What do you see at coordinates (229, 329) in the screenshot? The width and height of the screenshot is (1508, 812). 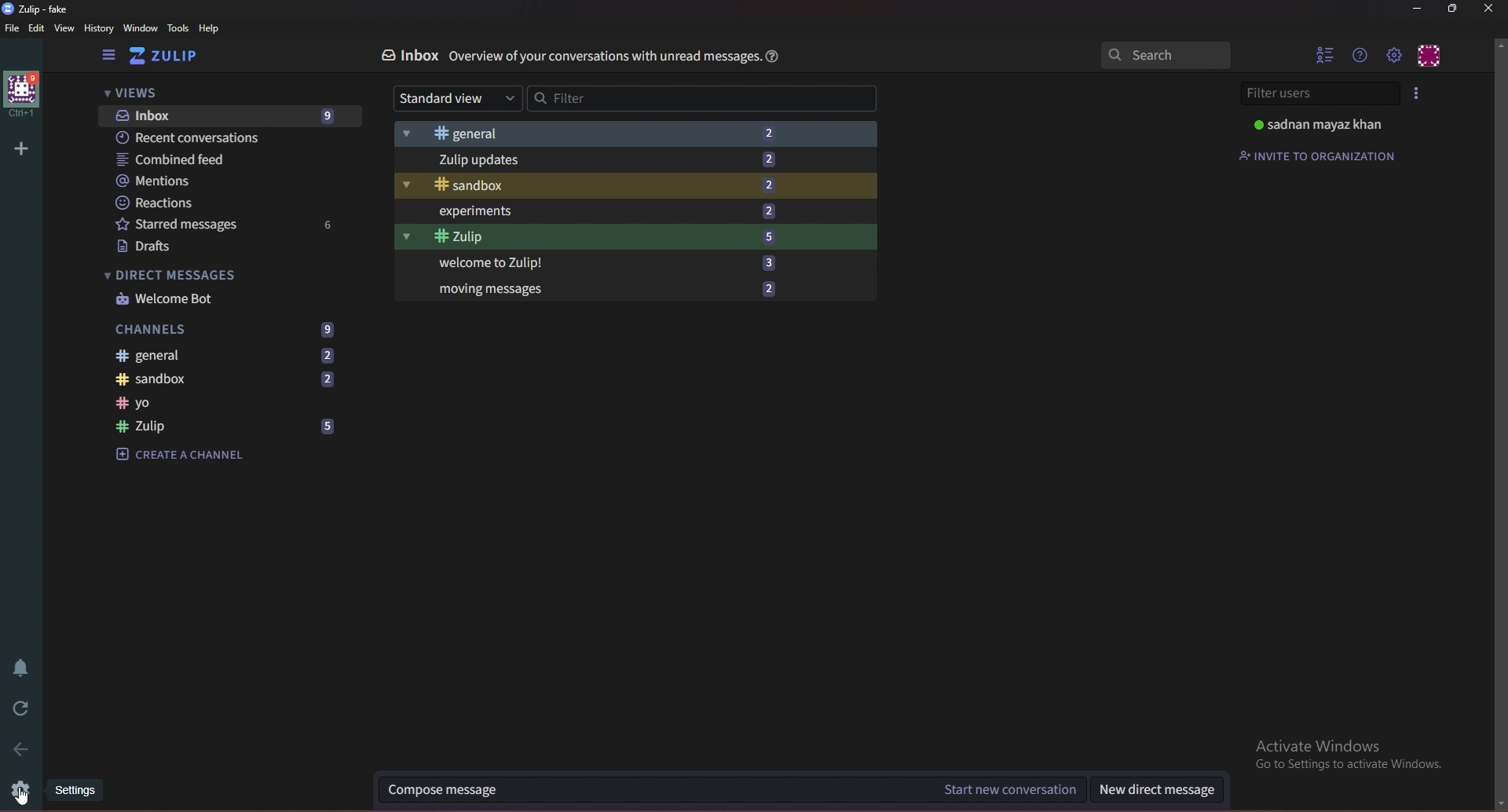 I see `Channels` at bounding box center [229, 329].